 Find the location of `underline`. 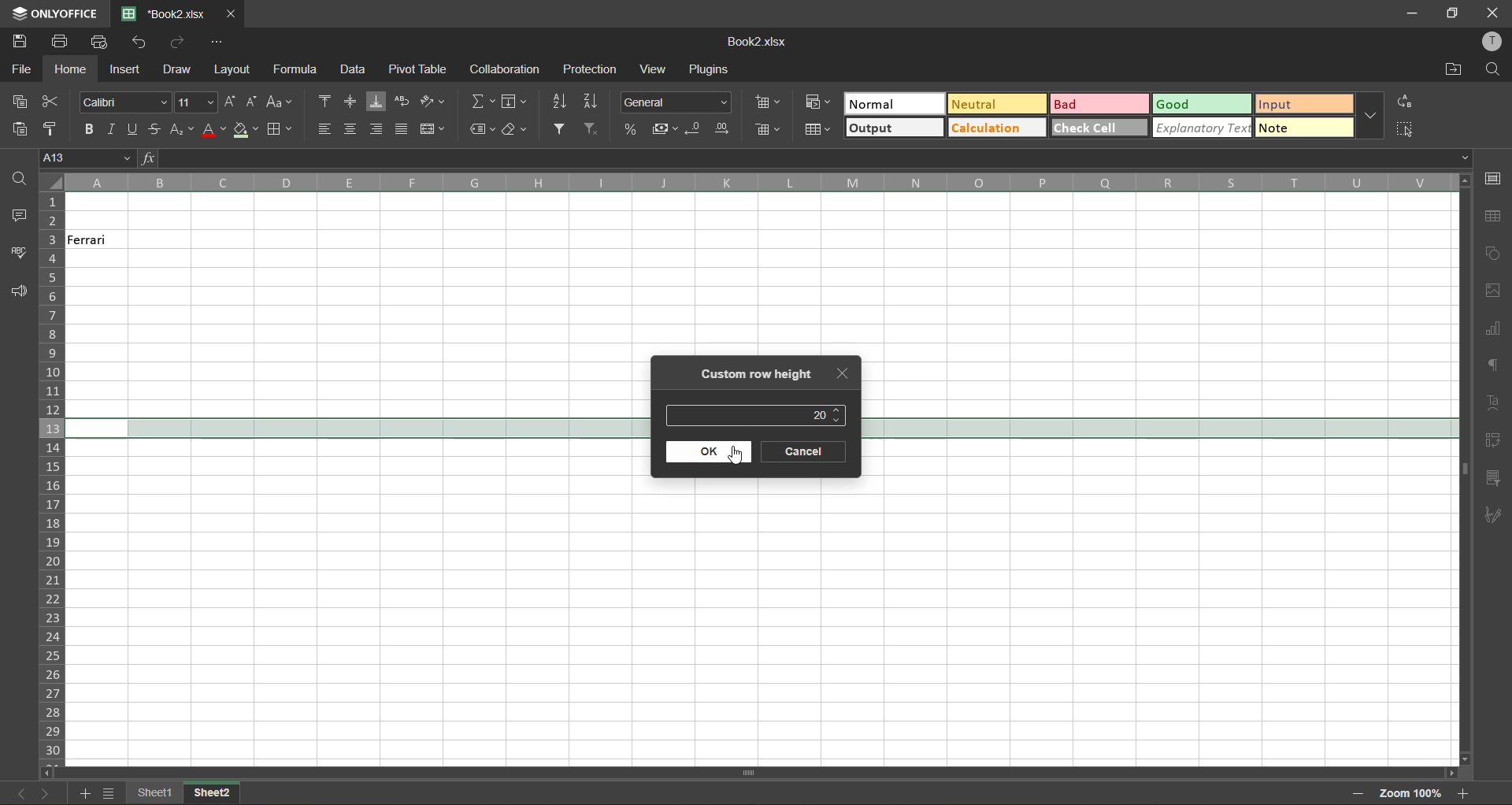

underline is located at coordinates (131, 129).